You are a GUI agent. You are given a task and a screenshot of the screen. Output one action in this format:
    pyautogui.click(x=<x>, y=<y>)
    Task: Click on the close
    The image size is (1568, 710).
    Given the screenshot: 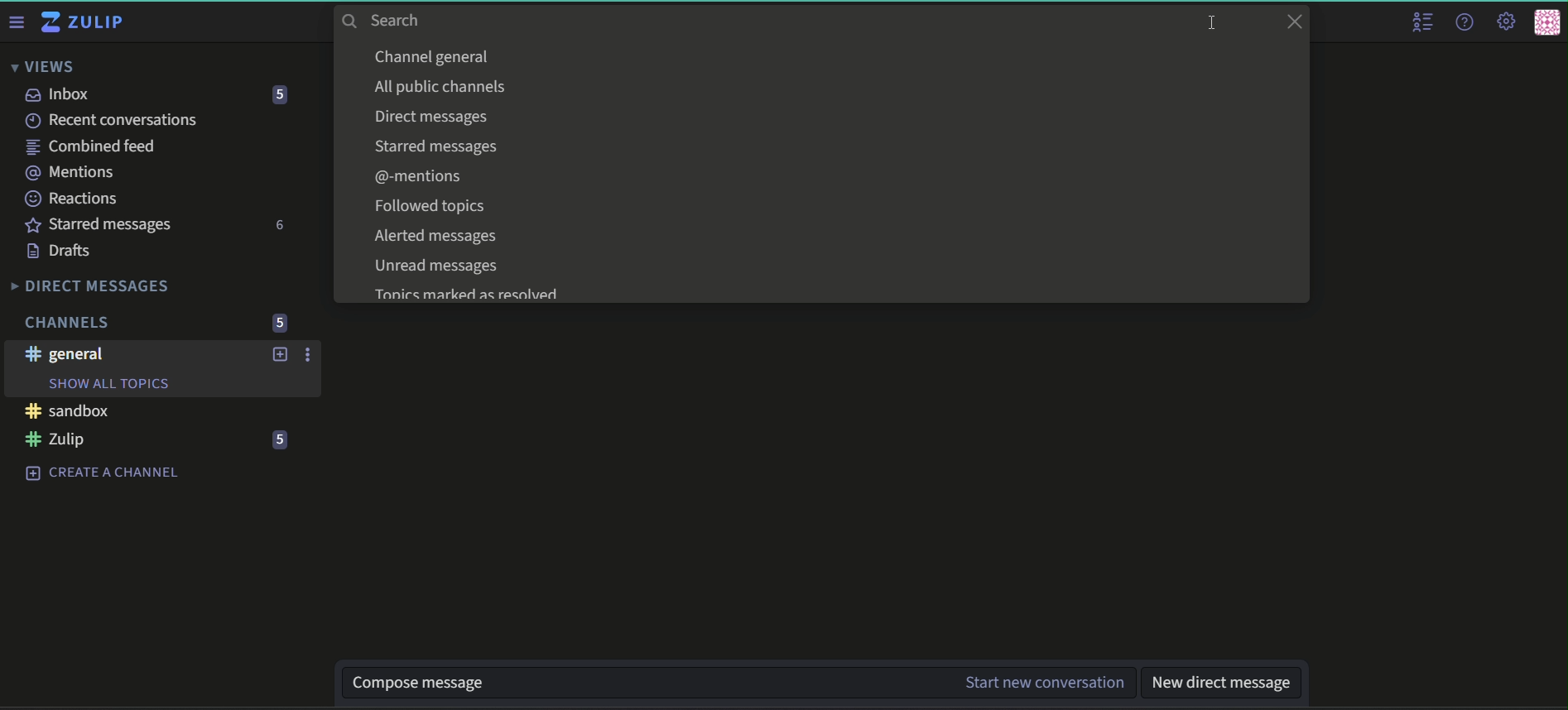 What is the action you would take?
    pyautogui.click(x=1294, y=22)
    